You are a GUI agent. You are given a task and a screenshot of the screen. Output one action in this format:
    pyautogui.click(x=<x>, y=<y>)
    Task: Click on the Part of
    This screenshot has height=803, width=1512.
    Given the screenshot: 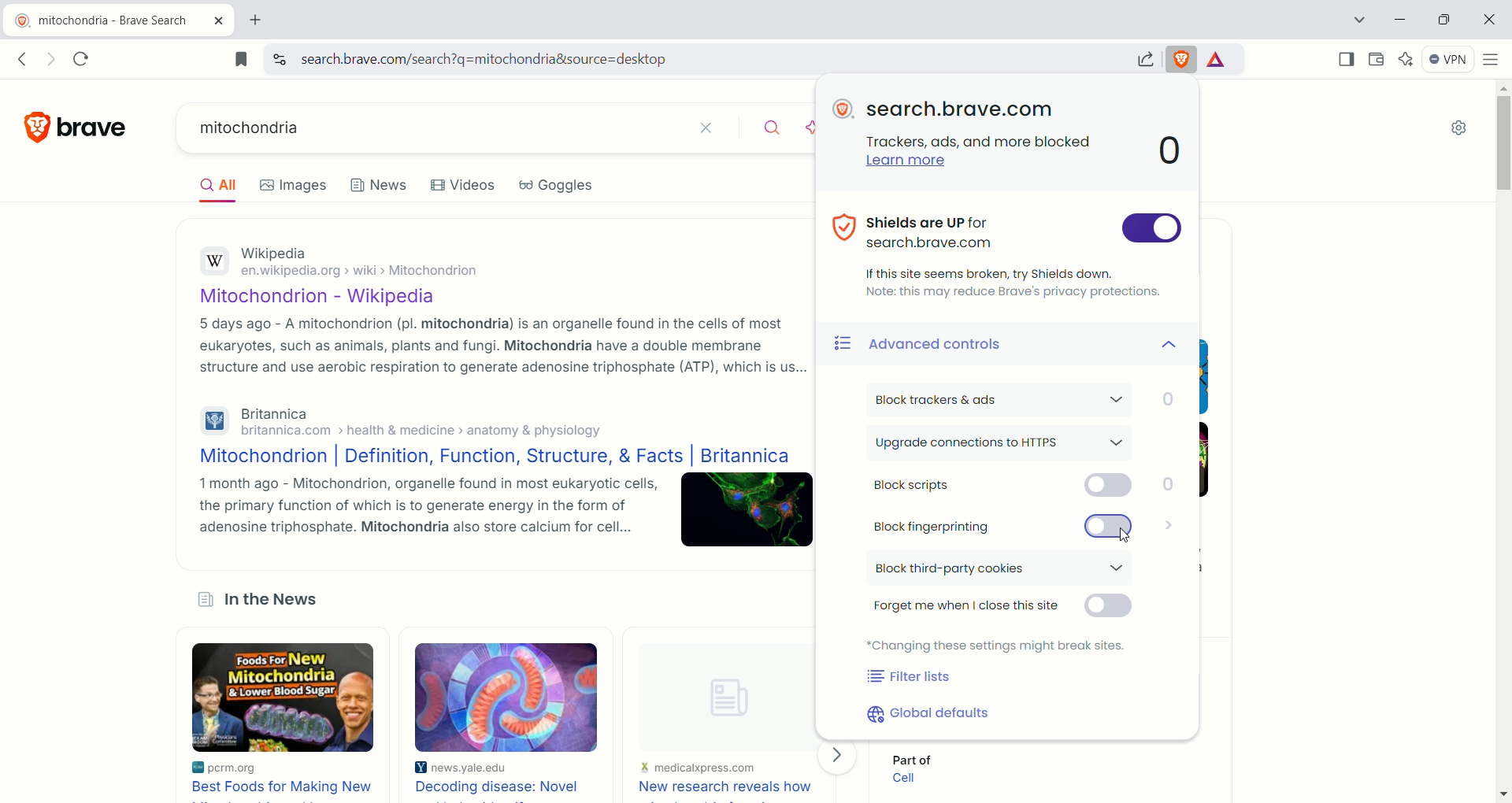 What is the action you would take?
    pyautogui.click(x=920, y=757)
    